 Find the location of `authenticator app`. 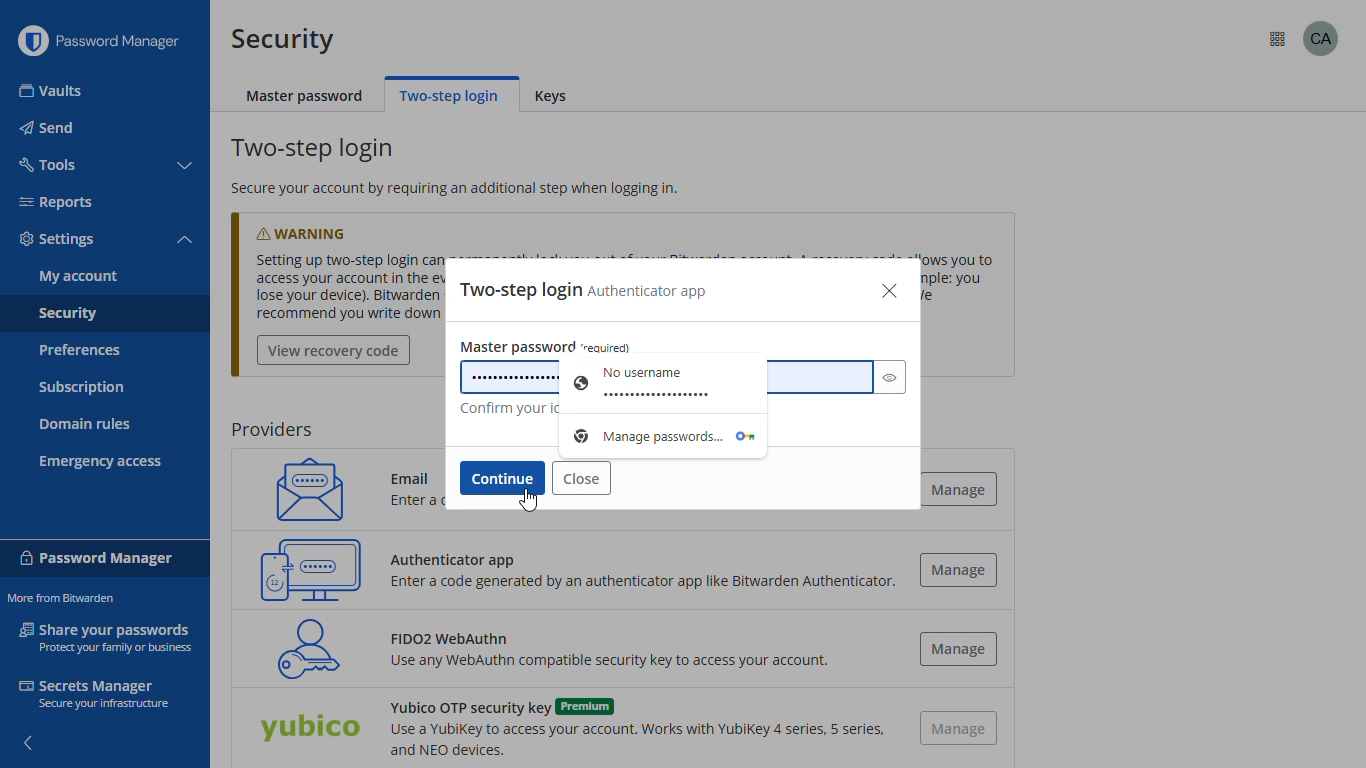

authenticator app is located at coordinates (311, 569).